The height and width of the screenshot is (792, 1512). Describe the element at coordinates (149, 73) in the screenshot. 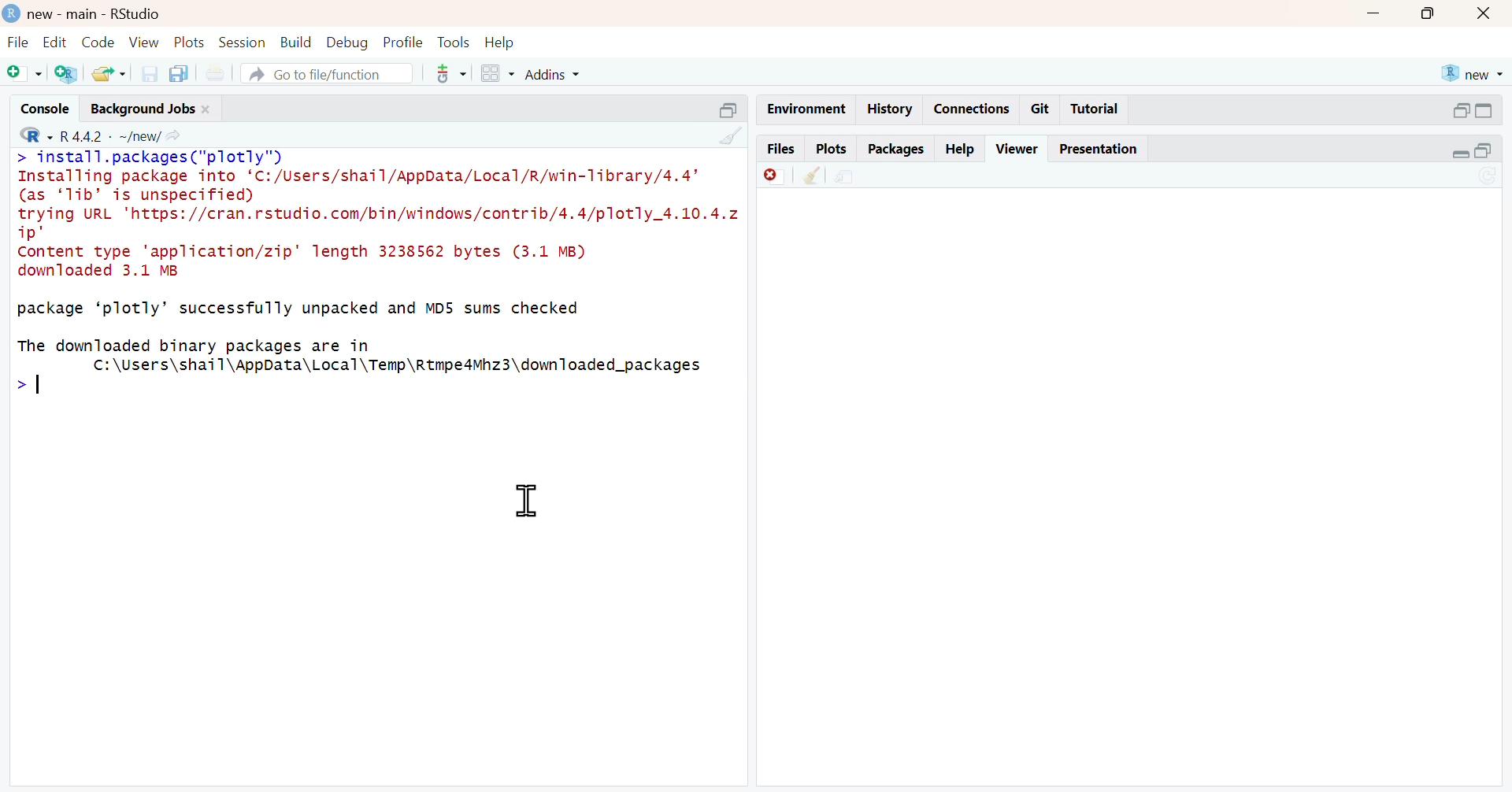

I see `save current document` at that location.